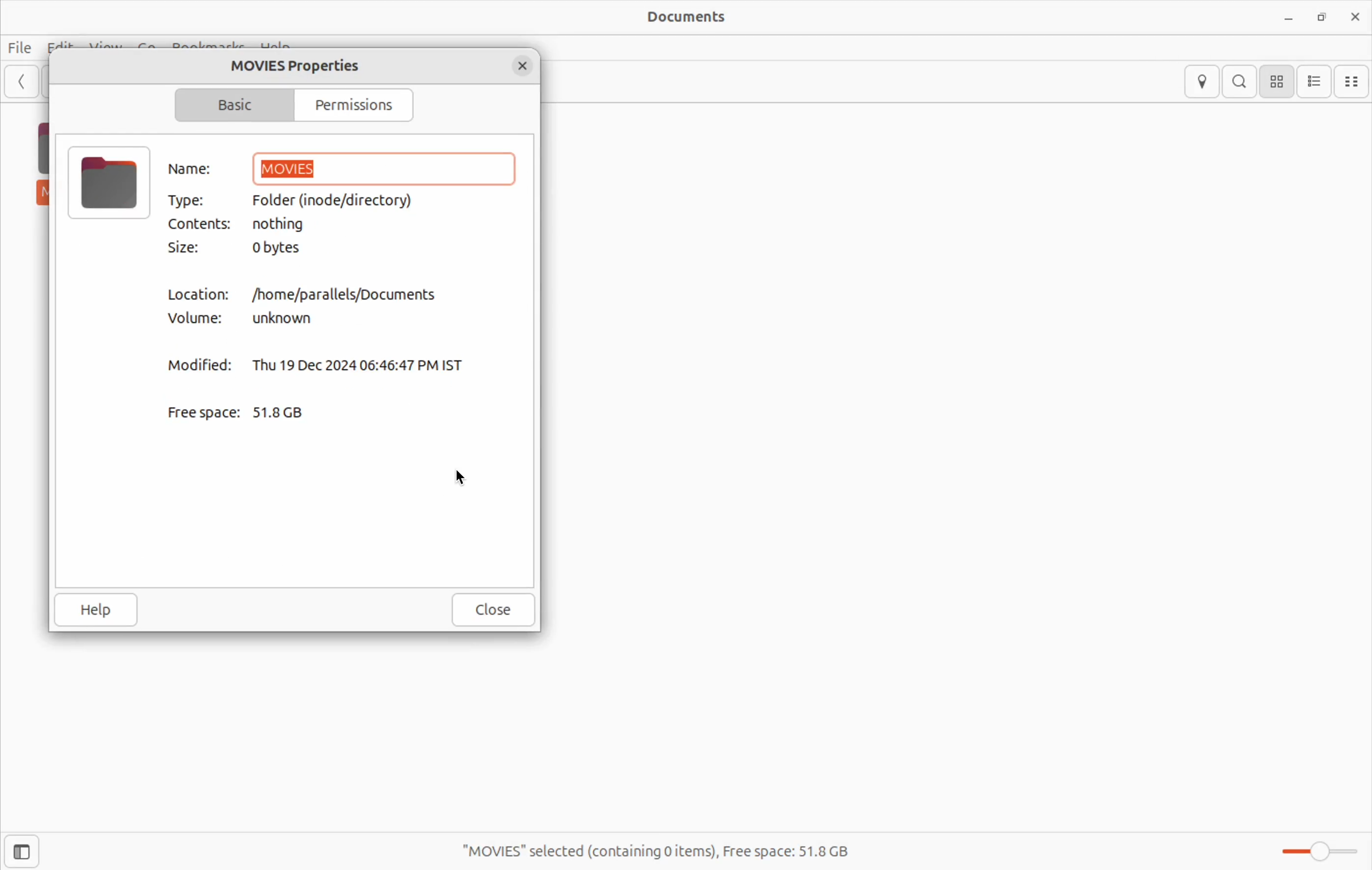  What do you see at coordinates (289, 412) in the screenshot?
I see `51.8 gb` at bounding box center [289, 412].